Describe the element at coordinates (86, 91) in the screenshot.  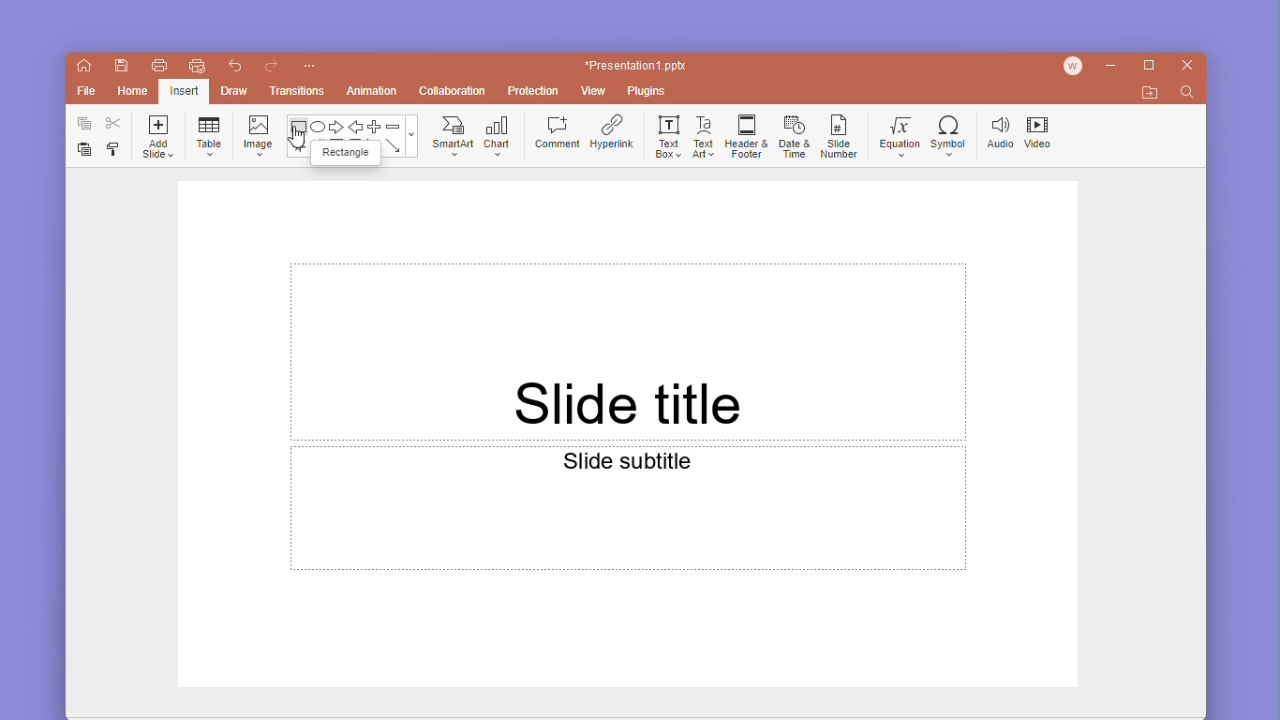
I see `file` at that location.